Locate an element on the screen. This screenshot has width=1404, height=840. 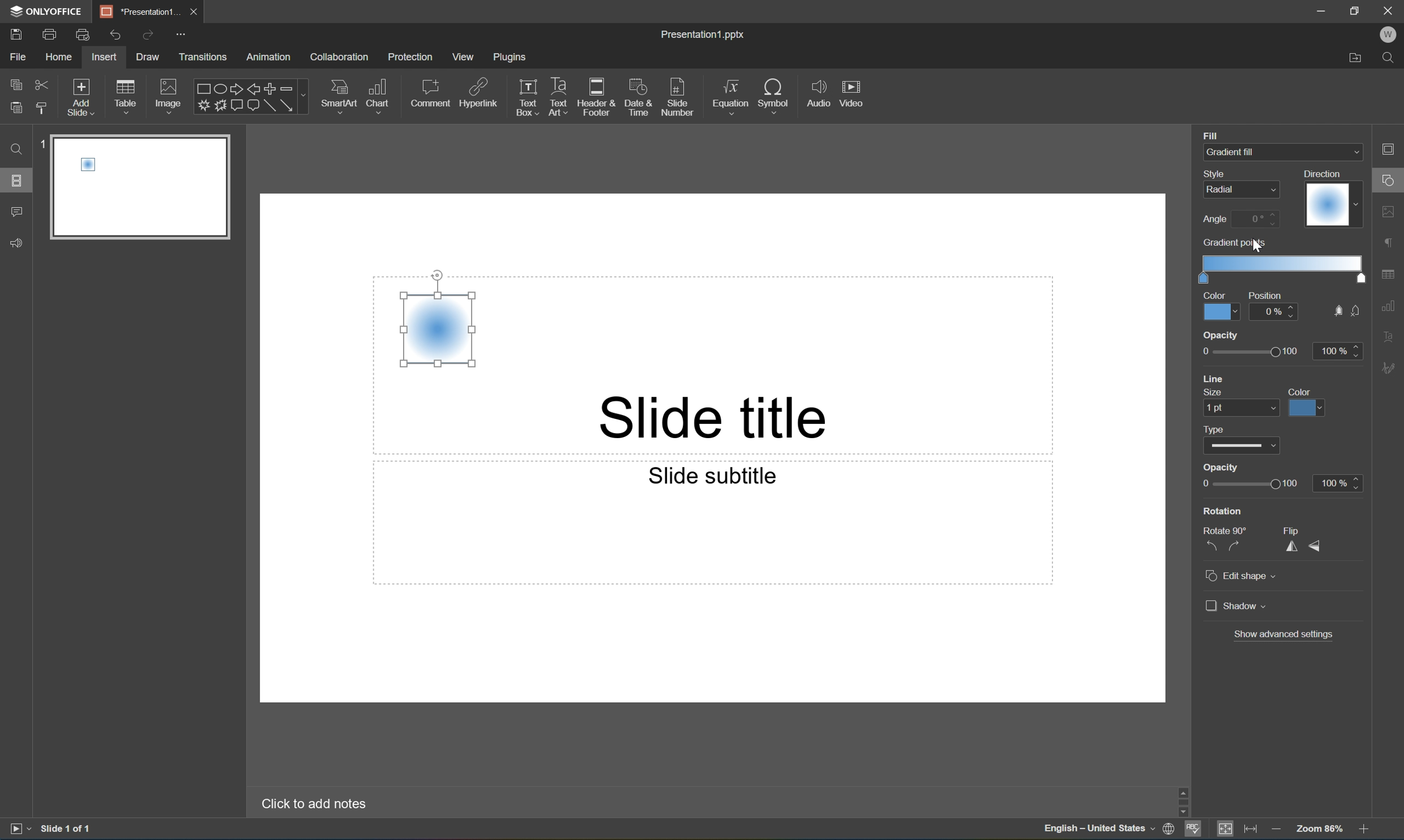
Zoom 103% is located at coordinates (1319, 828).